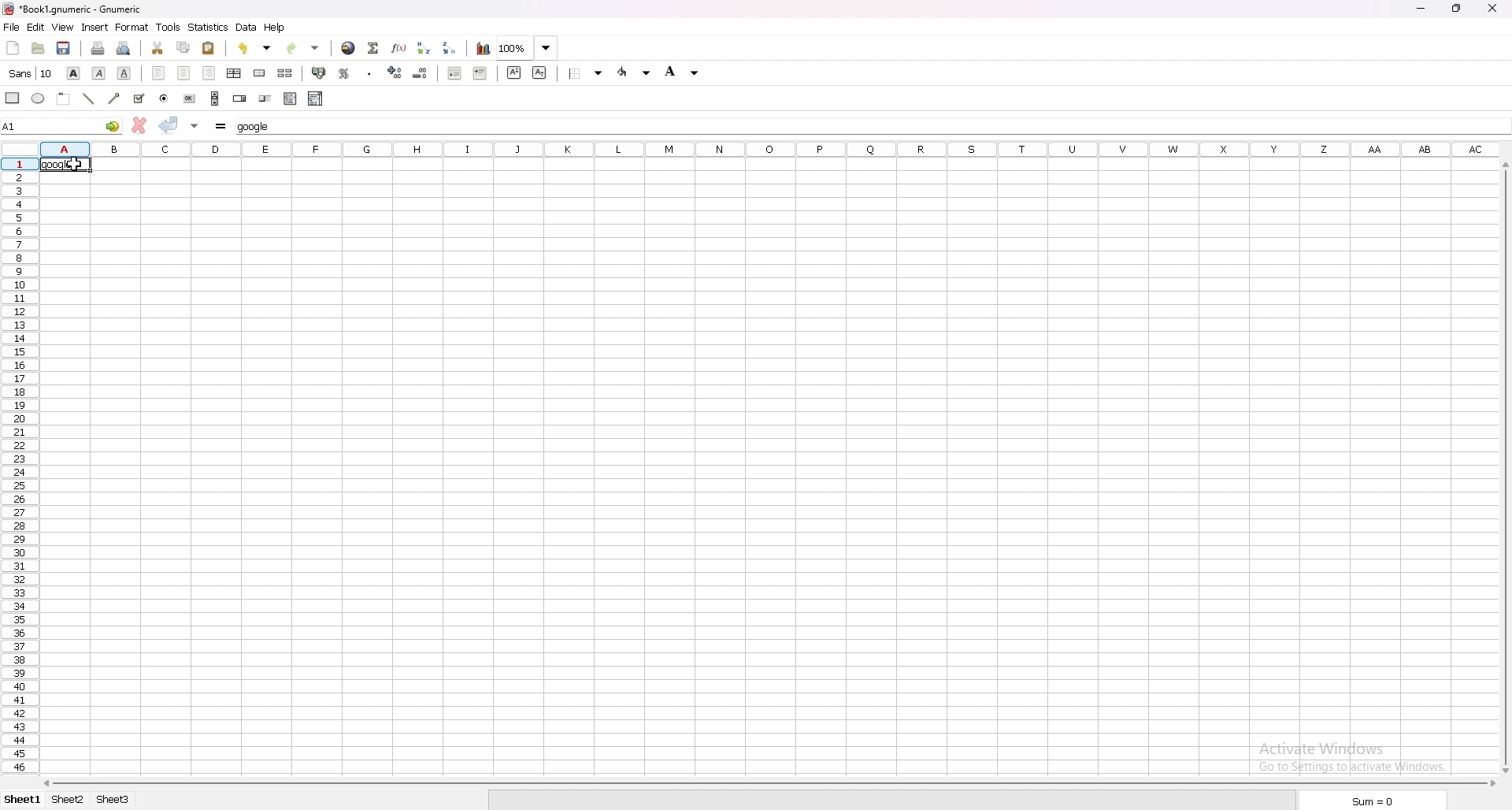 This screenshot has width=1512, height=810. I want to click on decrease decimals, so click(421, 73).